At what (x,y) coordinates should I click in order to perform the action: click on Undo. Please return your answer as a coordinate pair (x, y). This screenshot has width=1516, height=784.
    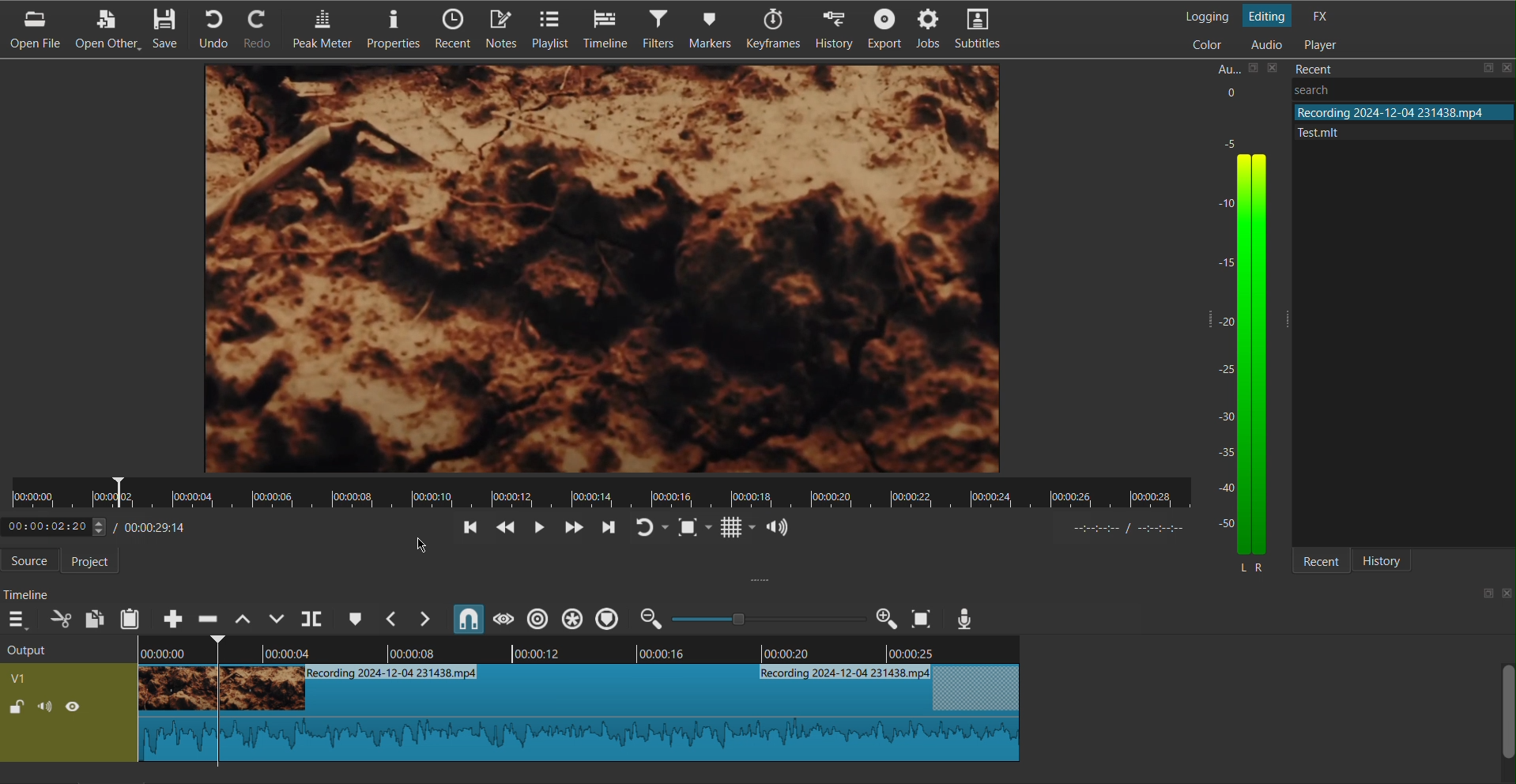
    Looking at the image, I should click on (217, 28).